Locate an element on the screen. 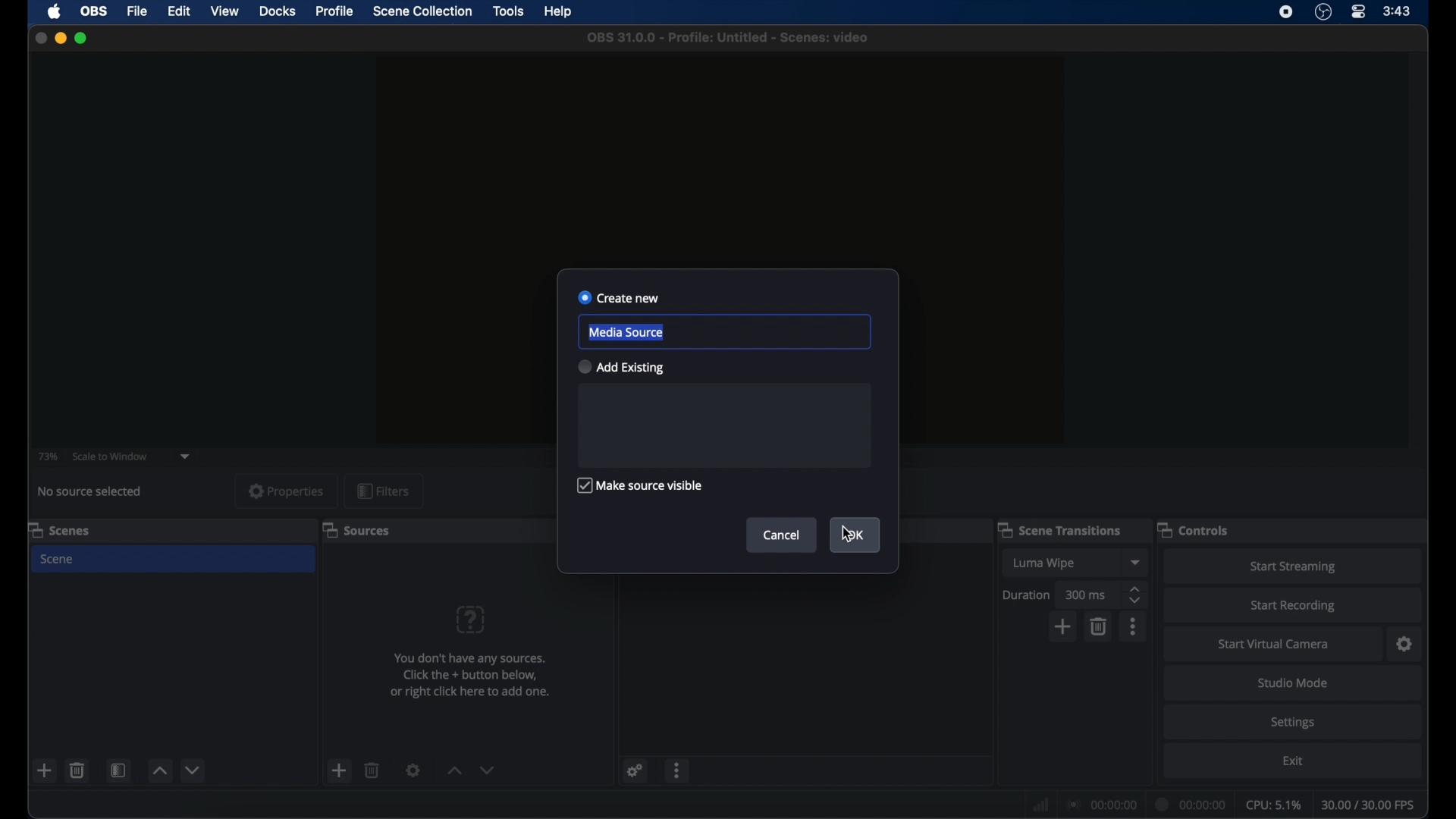 This screenshot has height=819, width=1456. sources is located at coordinates (356, 531).